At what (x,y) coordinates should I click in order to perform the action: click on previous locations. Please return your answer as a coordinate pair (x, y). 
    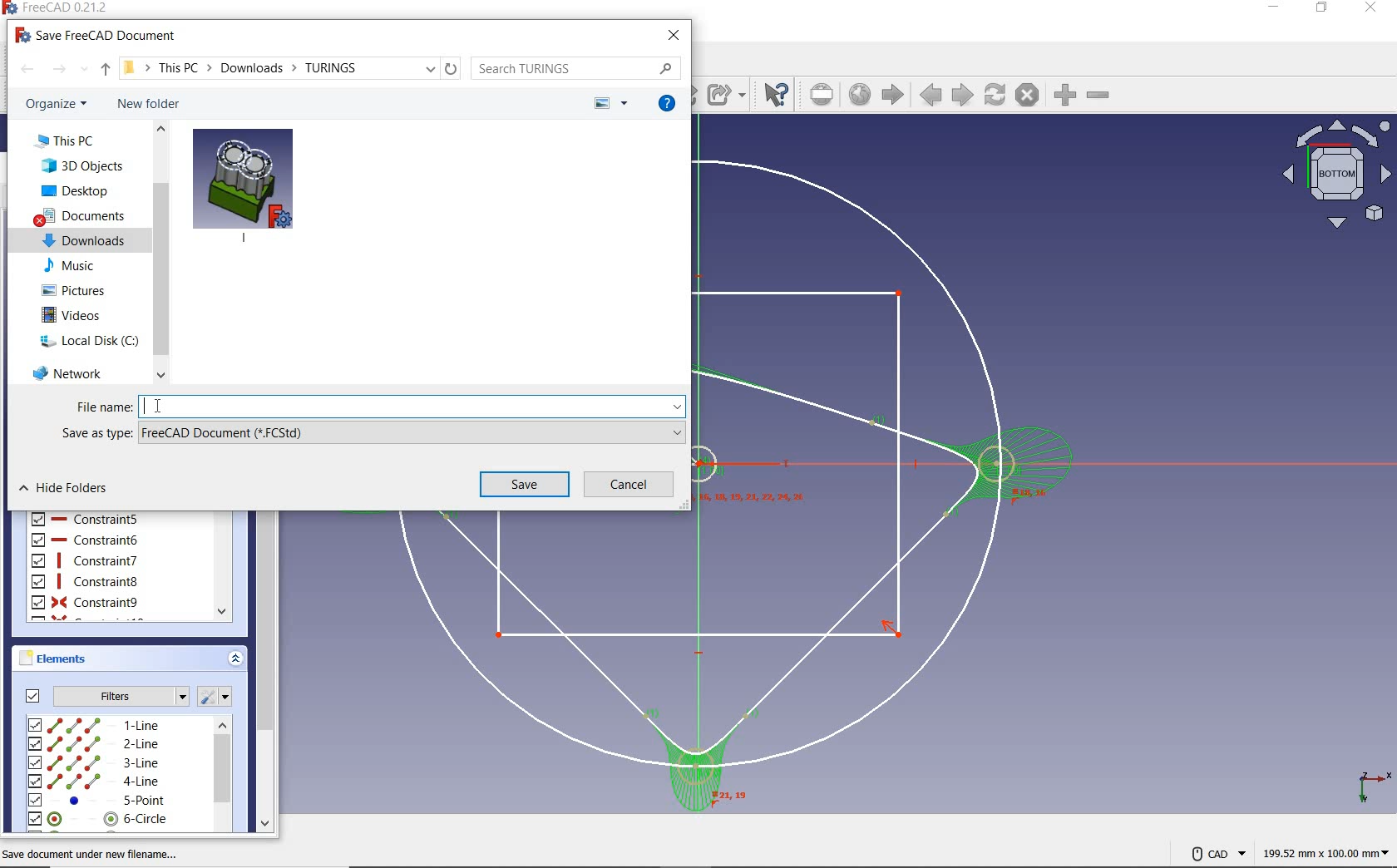
    Looking at the image, I should click on (432, 68).